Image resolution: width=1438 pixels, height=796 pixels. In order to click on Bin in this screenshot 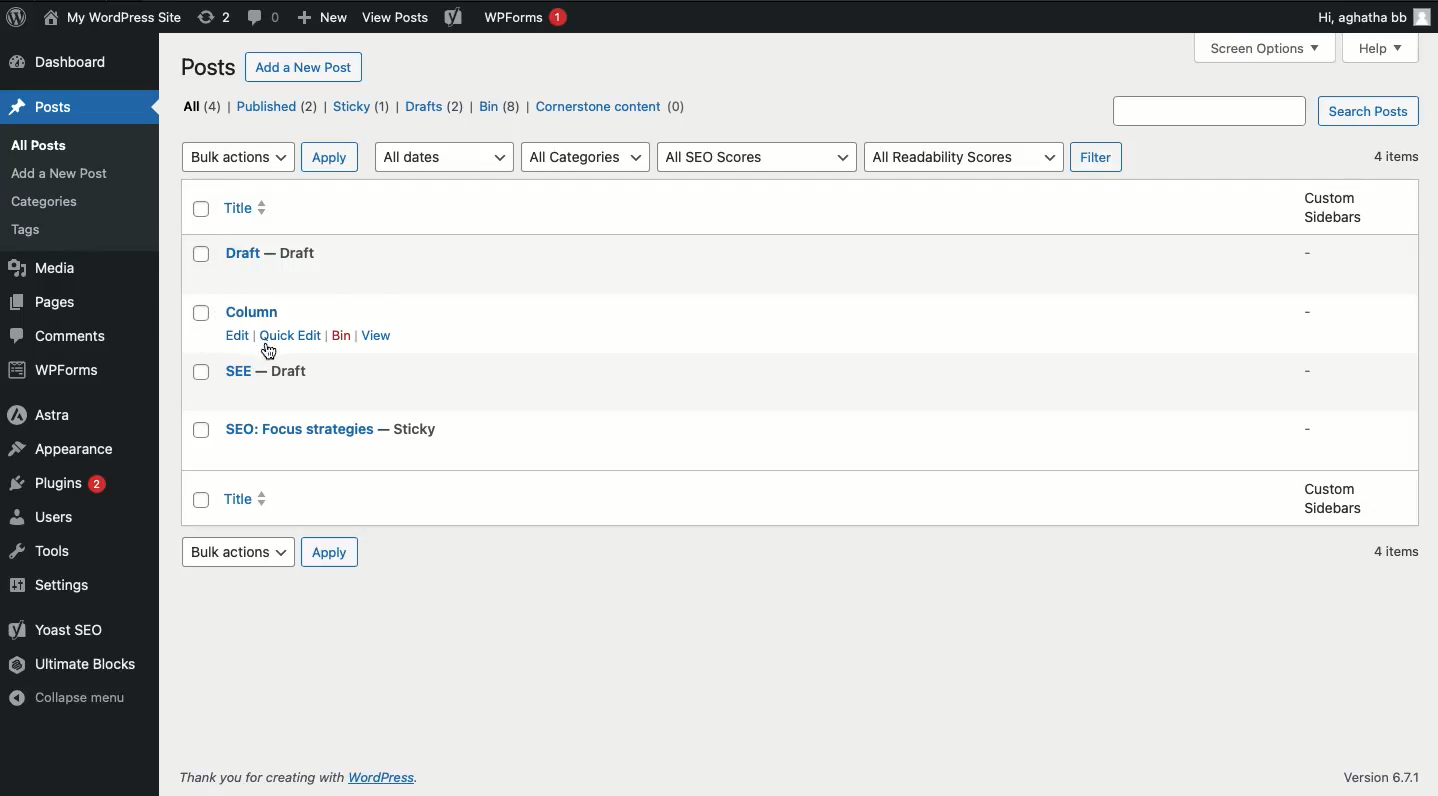, I will do `click(341, 336)`.